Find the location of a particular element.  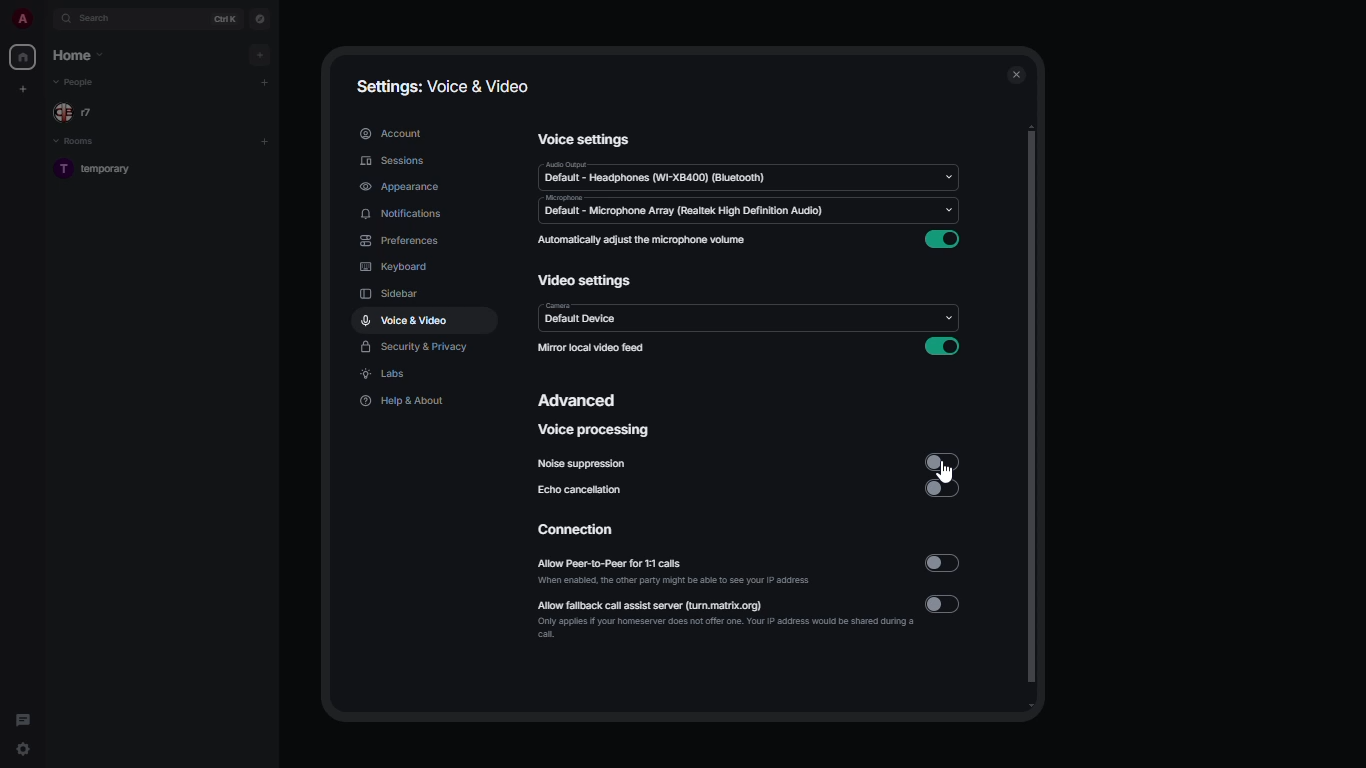

automatically adjust the microphone volume is located at coordinates (643, 241).